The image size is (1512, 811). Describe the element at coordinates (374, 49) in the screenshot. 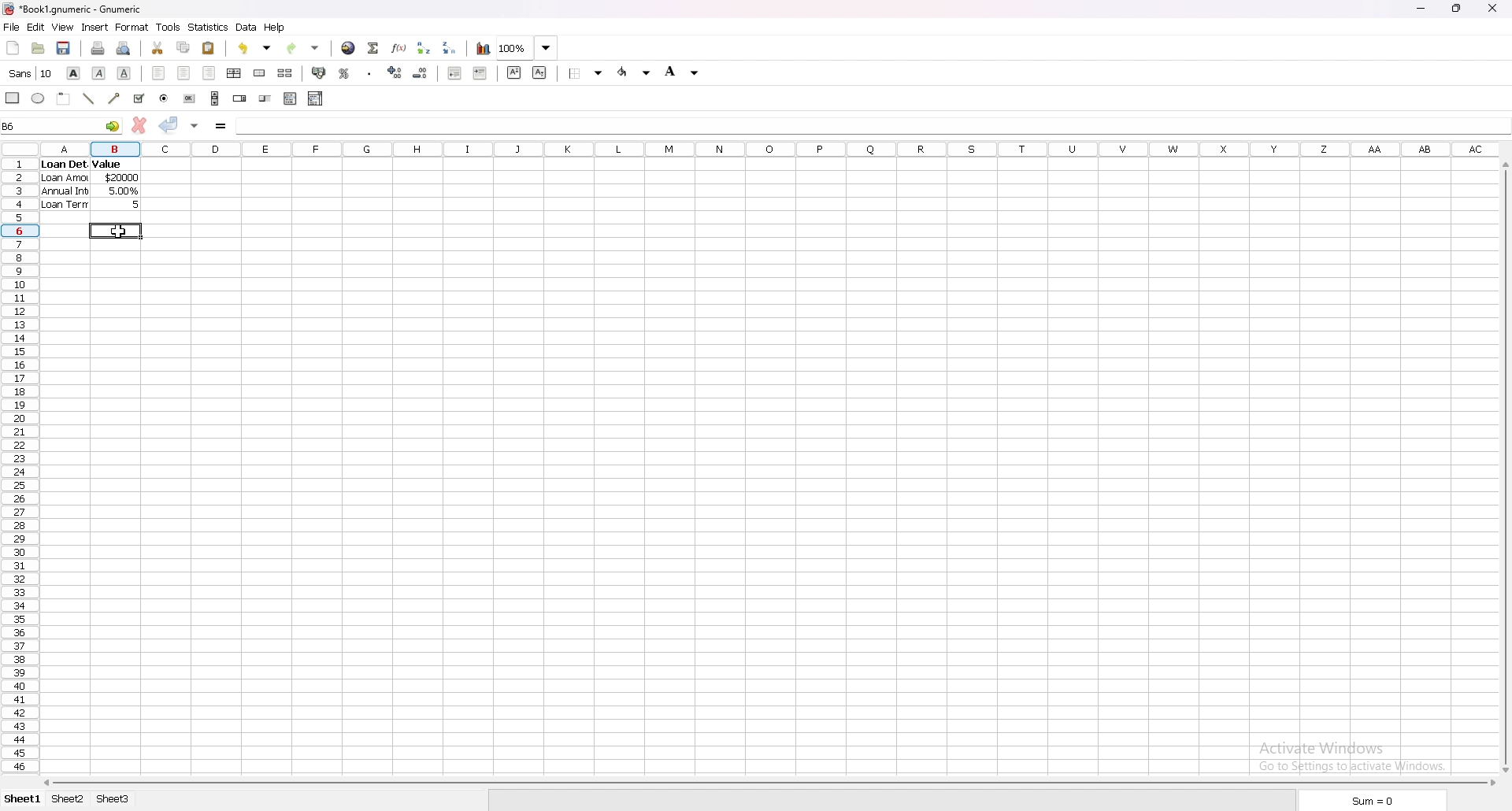

I see `summation` at that location.